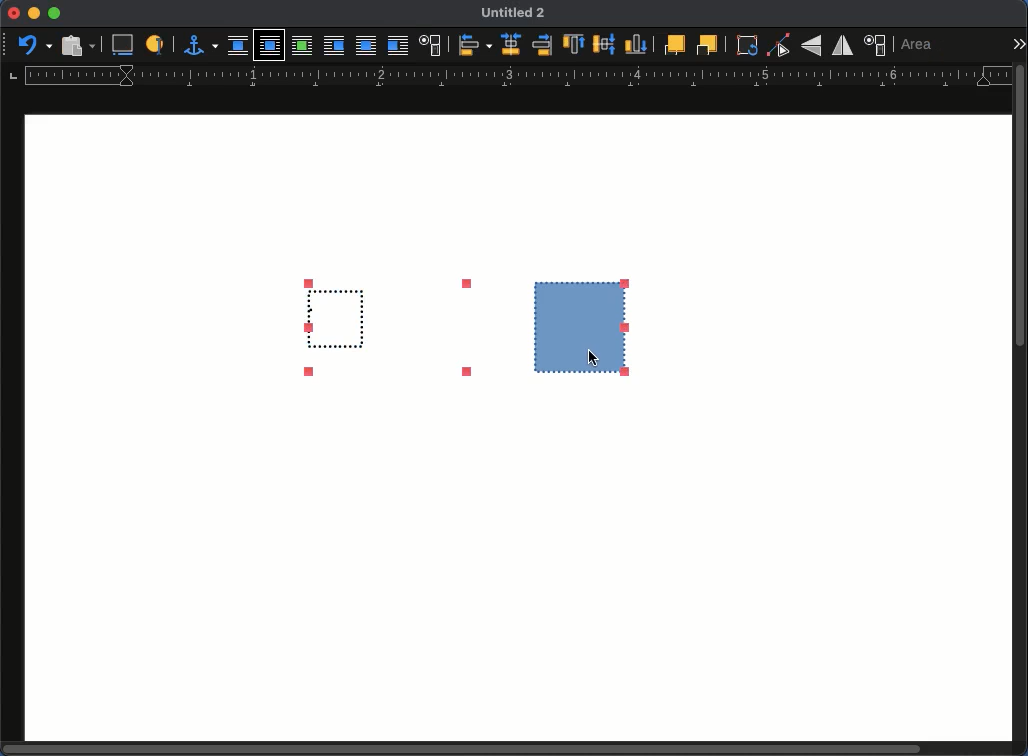  Describe the element at coordinates (745, 46) in the screenshot. I see `rotate` at that location.